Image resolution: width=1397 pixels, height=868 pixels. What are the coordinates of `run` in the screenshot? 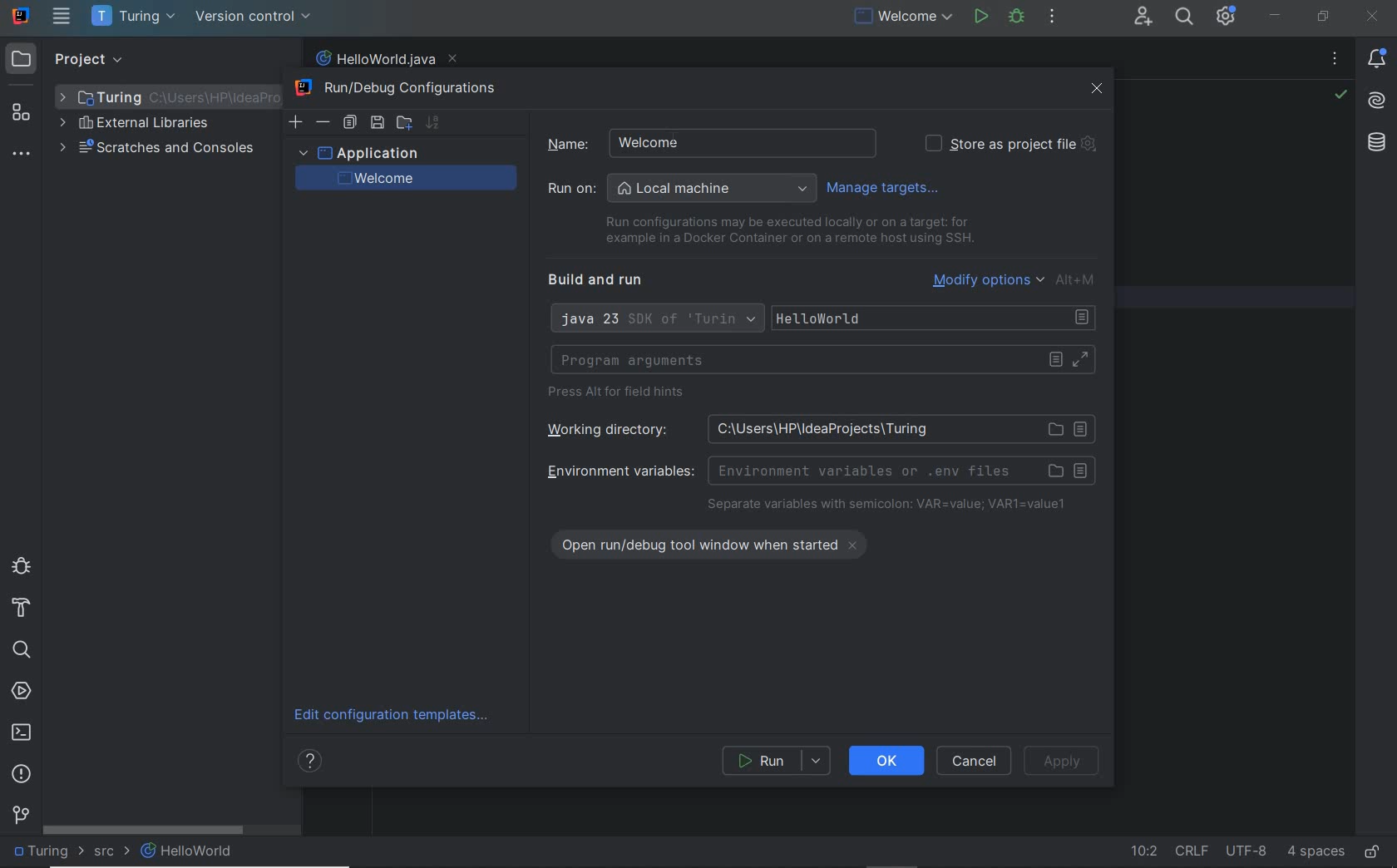 It's located at (980, 16).